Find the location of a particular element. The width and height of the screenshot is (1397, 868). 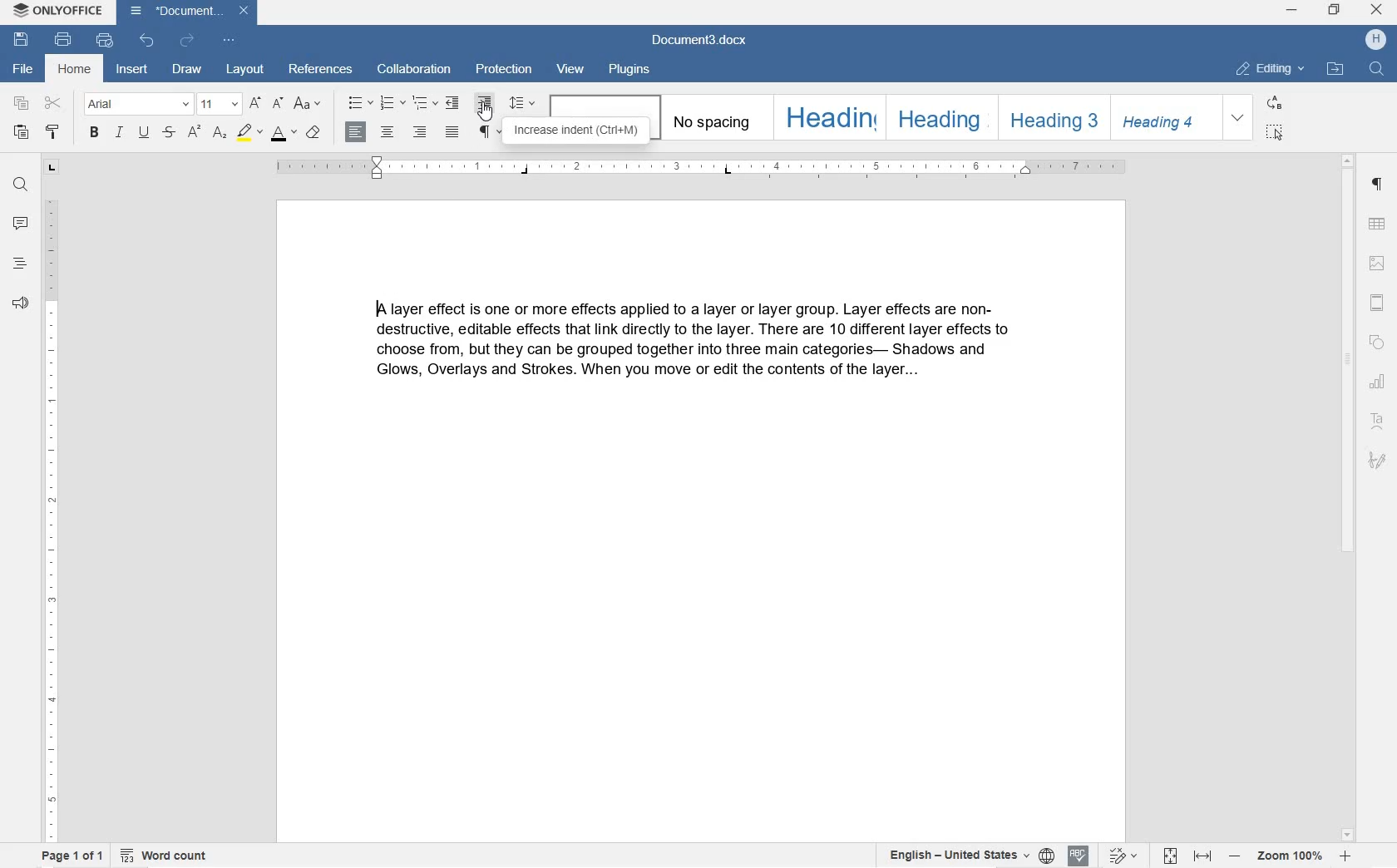

SET TEXT OR DOCUMENT LANGUAGE is located at coordinates (970, 856).